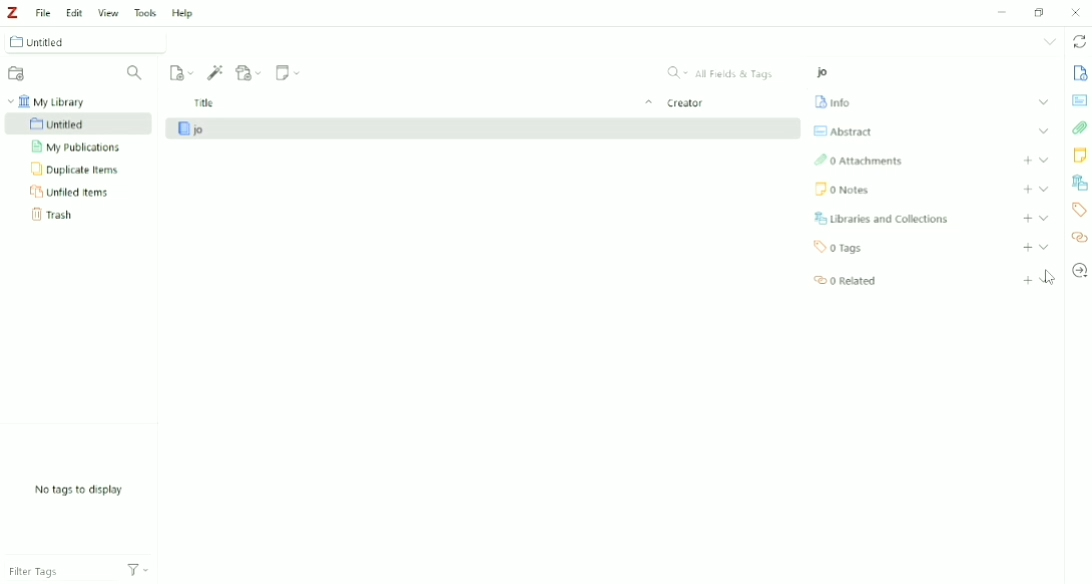 This screenshot has width=1092, height=584. What do you see at coordinates (1074, 11) in the screenshot?
I see `Close` at bounding box center [1074, 11].